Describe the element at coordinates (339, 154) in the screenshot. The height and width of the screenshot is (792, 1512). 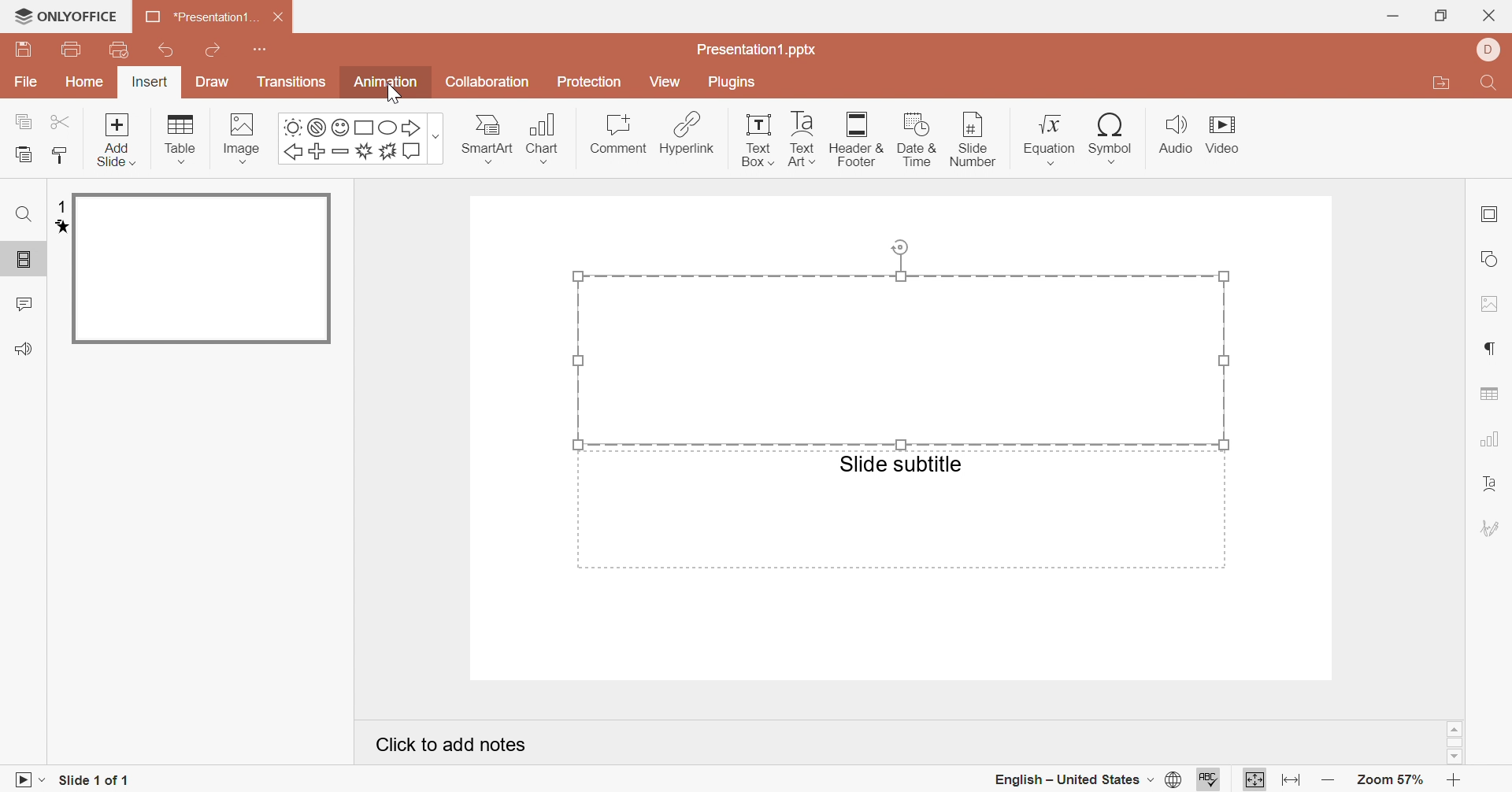
I see `minus` at that location.